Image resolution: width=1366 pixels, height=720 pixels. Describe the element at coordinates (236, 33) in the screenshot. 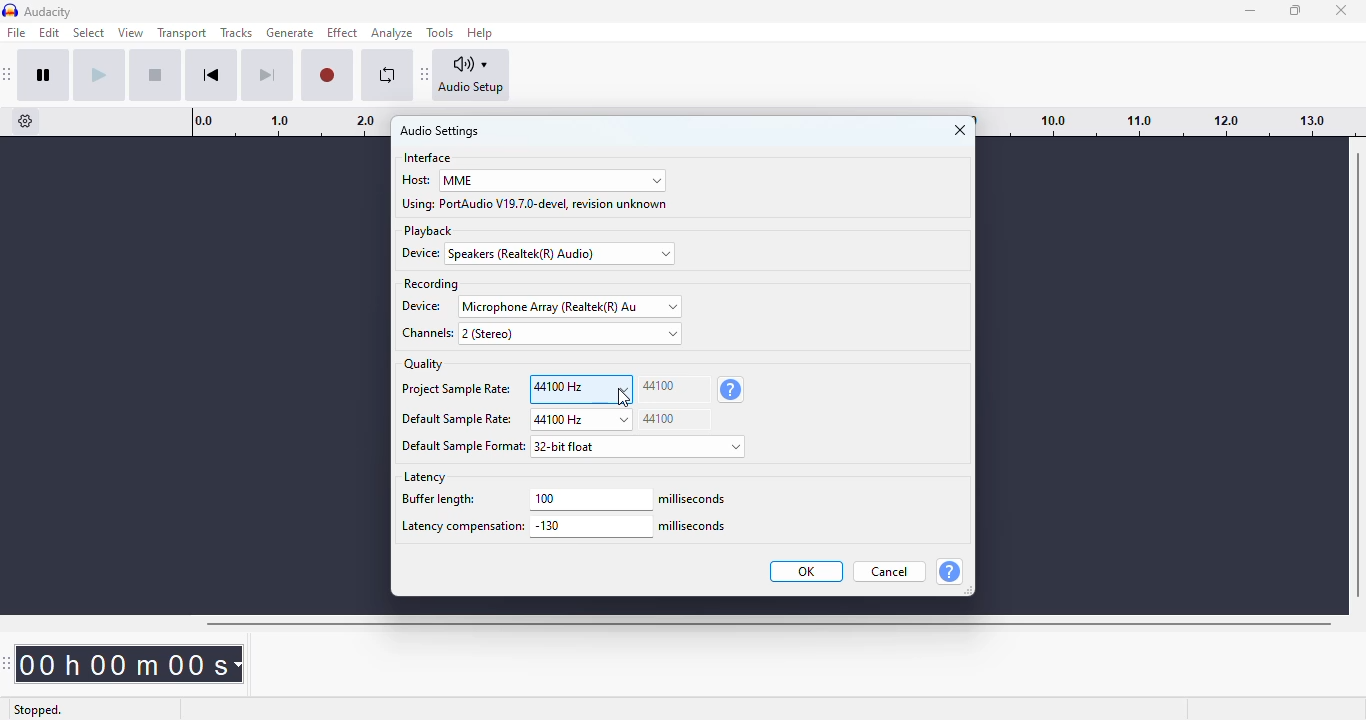

I see `tracks` at that location.